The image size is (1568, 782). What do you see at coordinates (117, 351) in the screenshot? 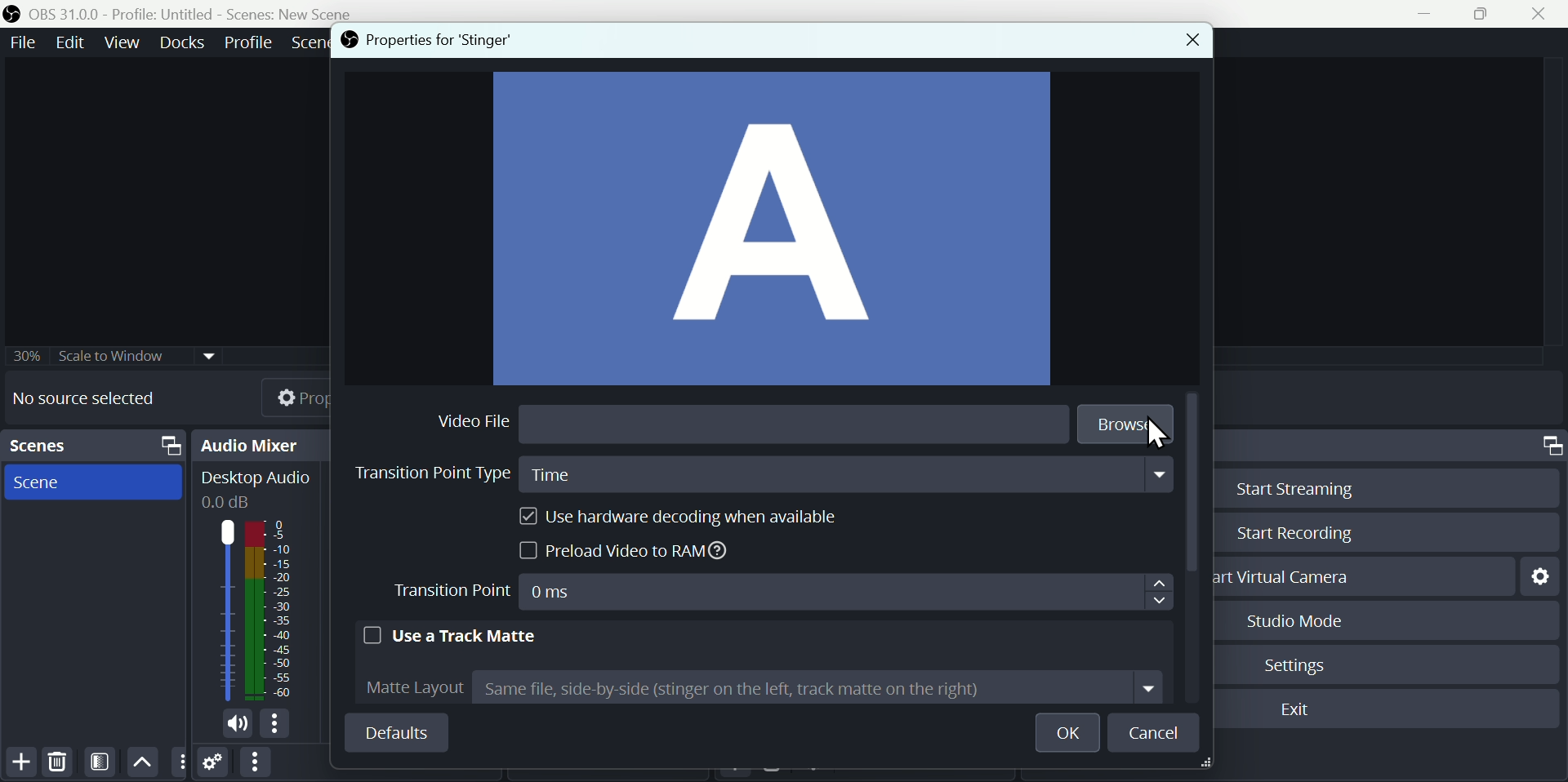
I see `` at bounding box center [117, 351].